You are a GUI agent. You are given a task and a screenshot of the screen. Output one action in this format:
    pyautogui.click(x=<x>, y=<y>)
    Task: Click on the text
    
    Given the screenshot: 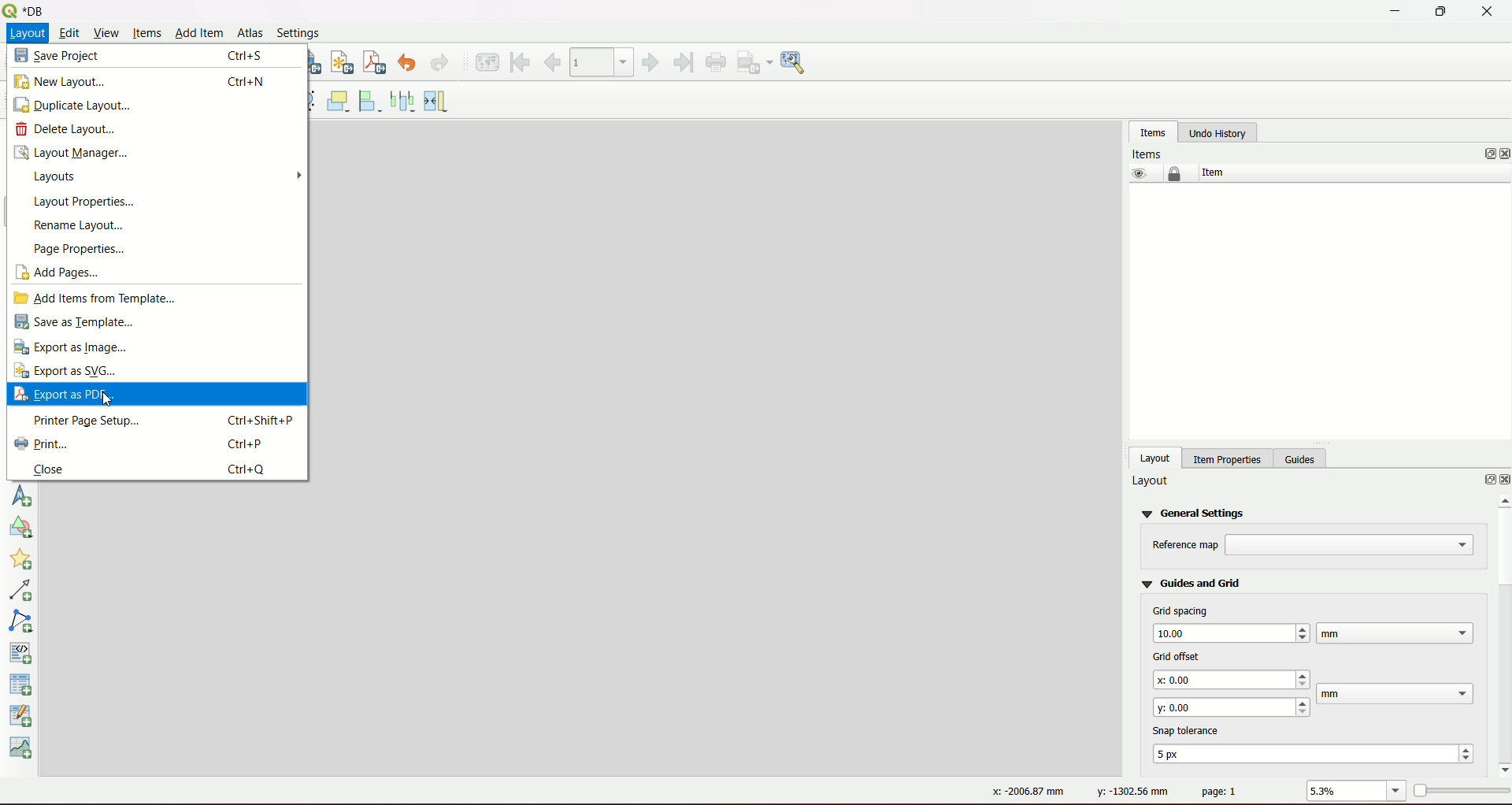 What is the action you would take?
    pyautogui.click(x=1190, y=729)
    